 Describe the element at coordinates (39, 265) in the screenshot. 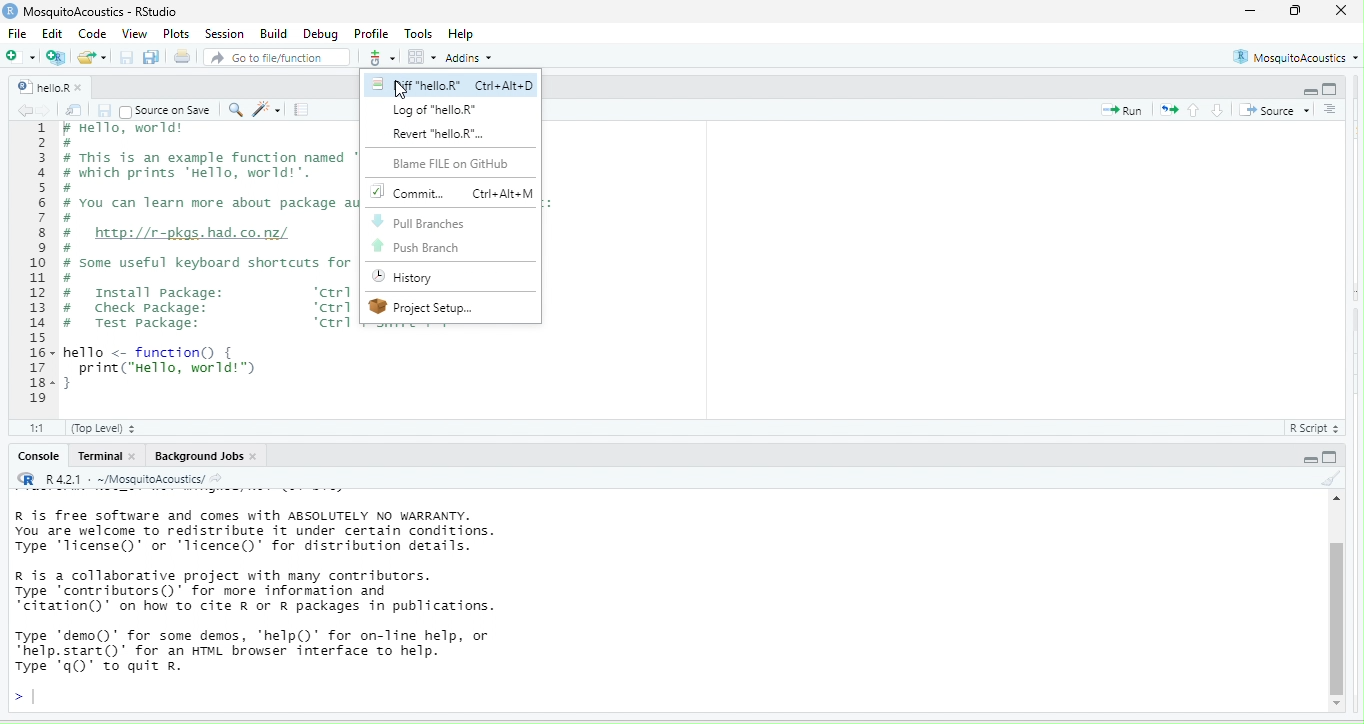

I see `1
2
3
a
5
6
7
BH
9
10
1
12
13
1
15

16-
17

18-
19` at that location.